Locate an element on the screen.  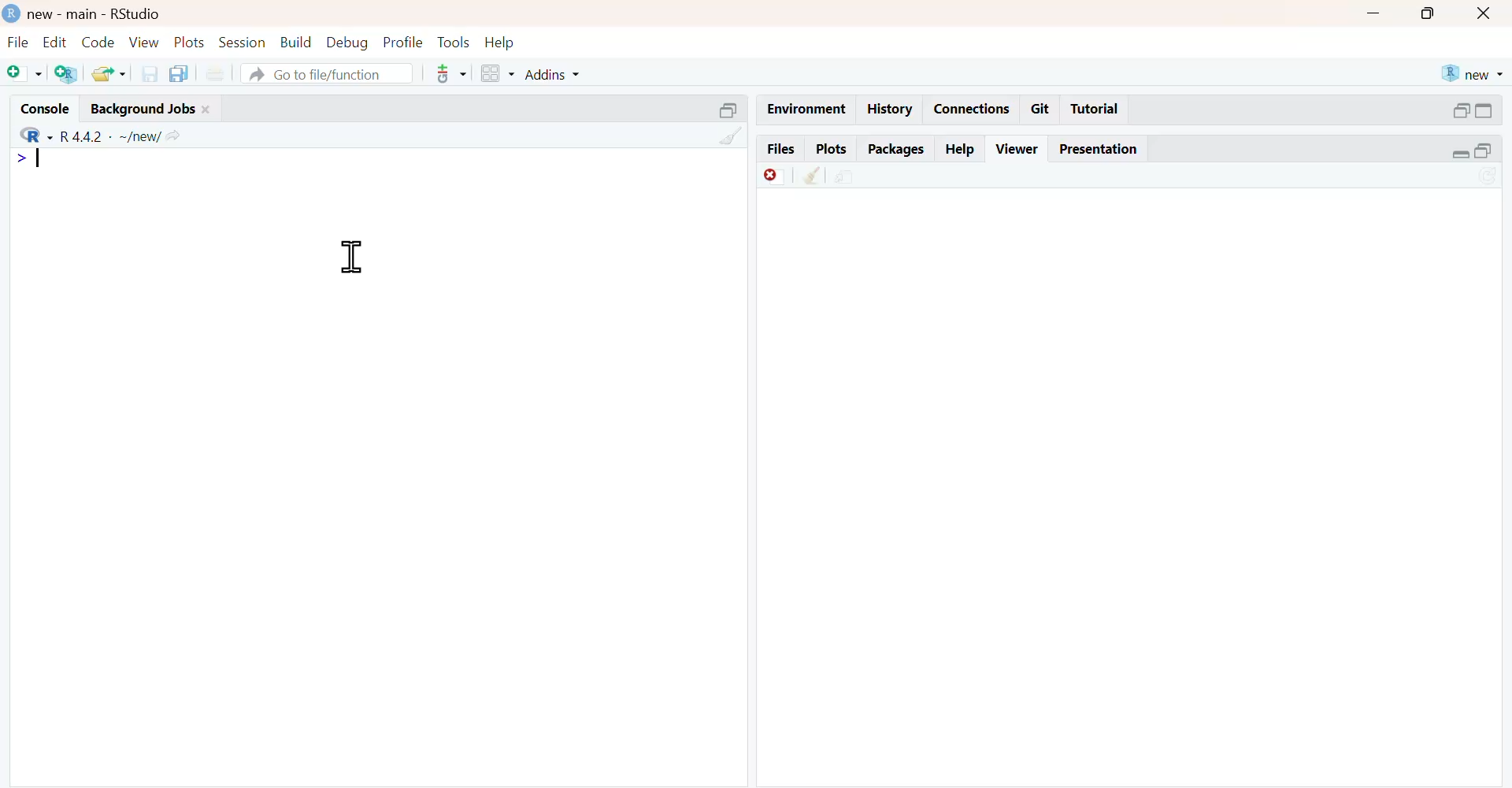
viewer is located at coordinates (1017, 149).